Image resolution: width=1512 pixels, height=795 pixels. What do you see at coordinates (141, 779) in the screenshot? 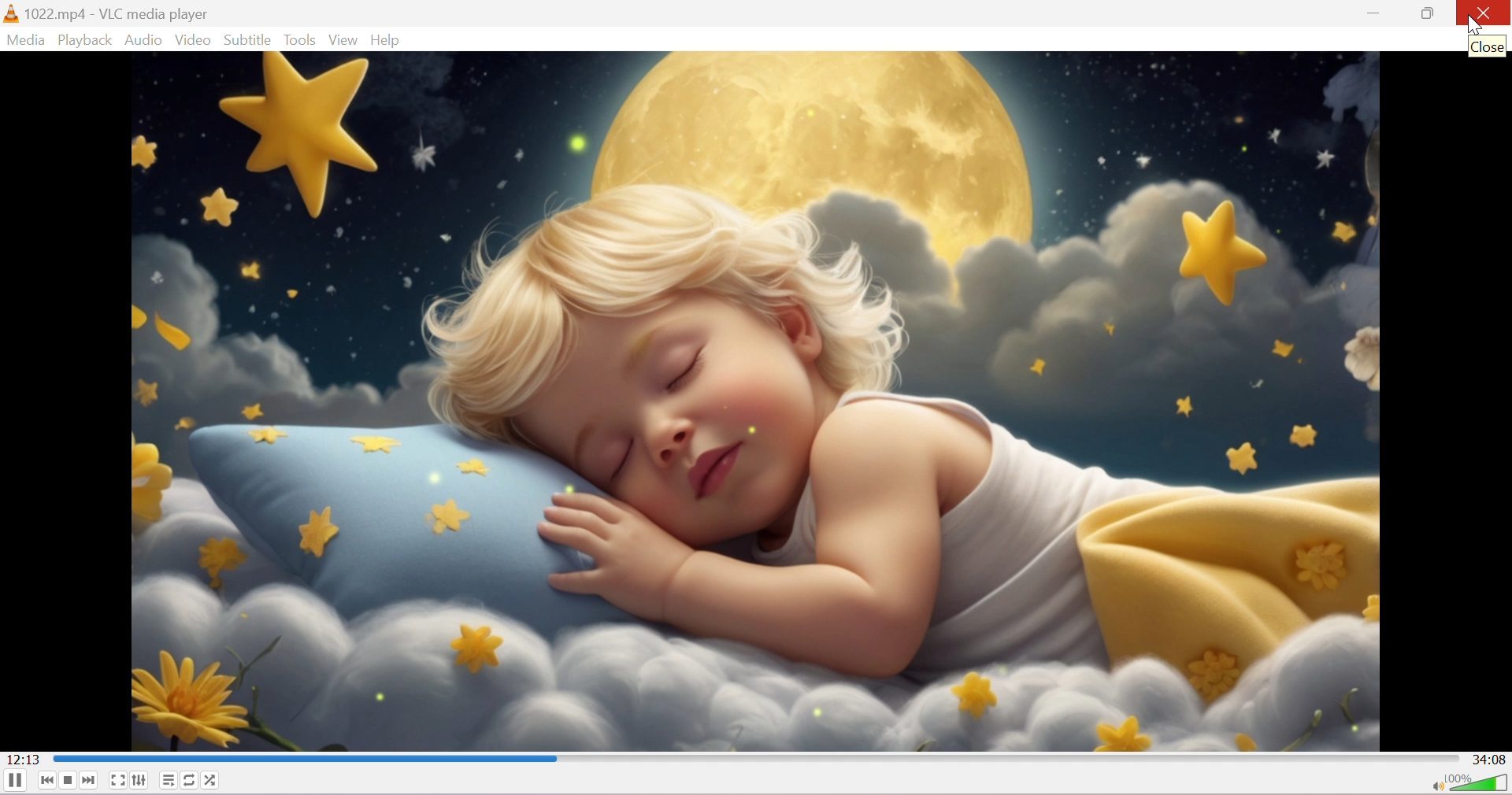
I see `Show extended settings` at bounding box center [141, 779].